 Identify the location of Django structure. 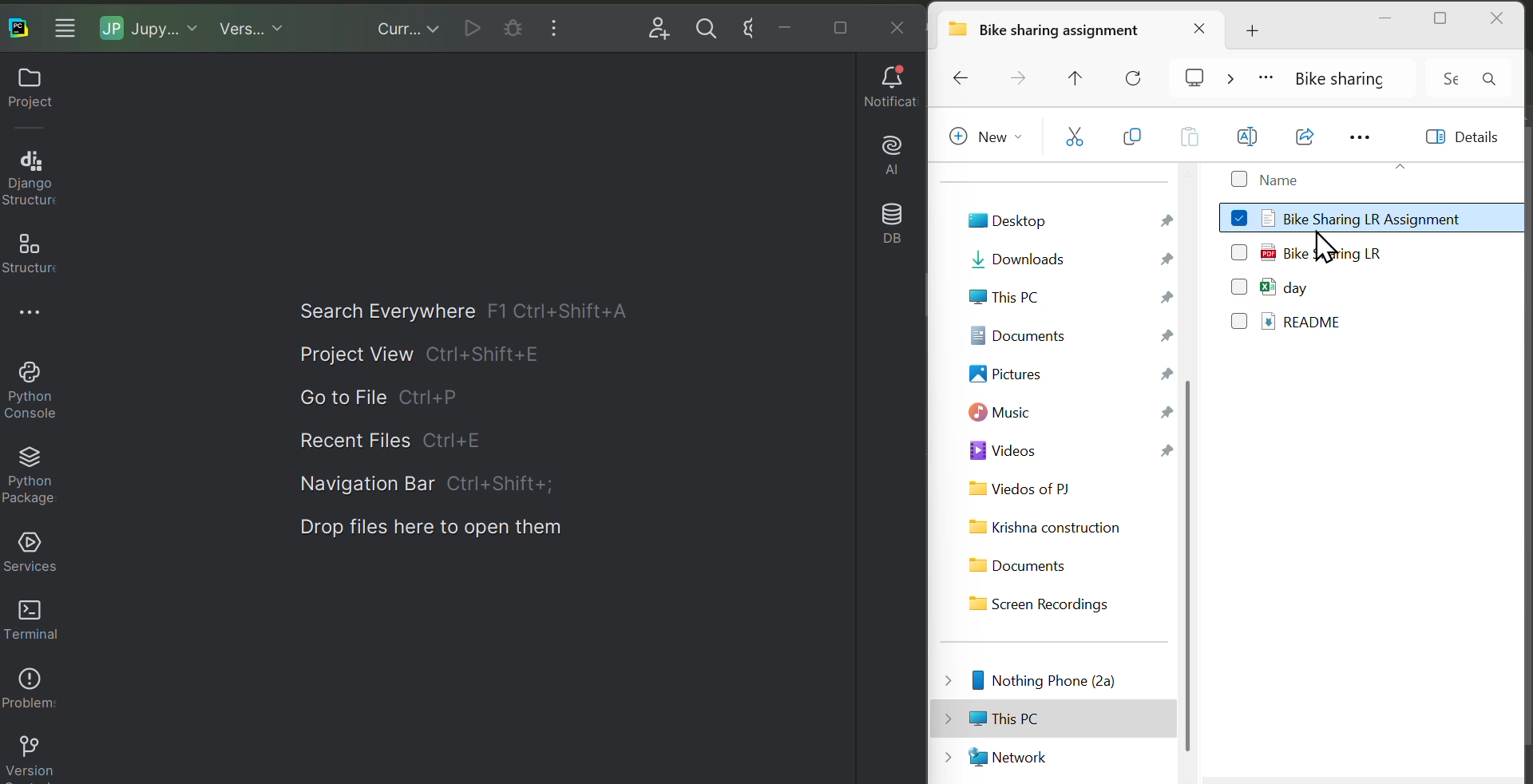
(35, 177).